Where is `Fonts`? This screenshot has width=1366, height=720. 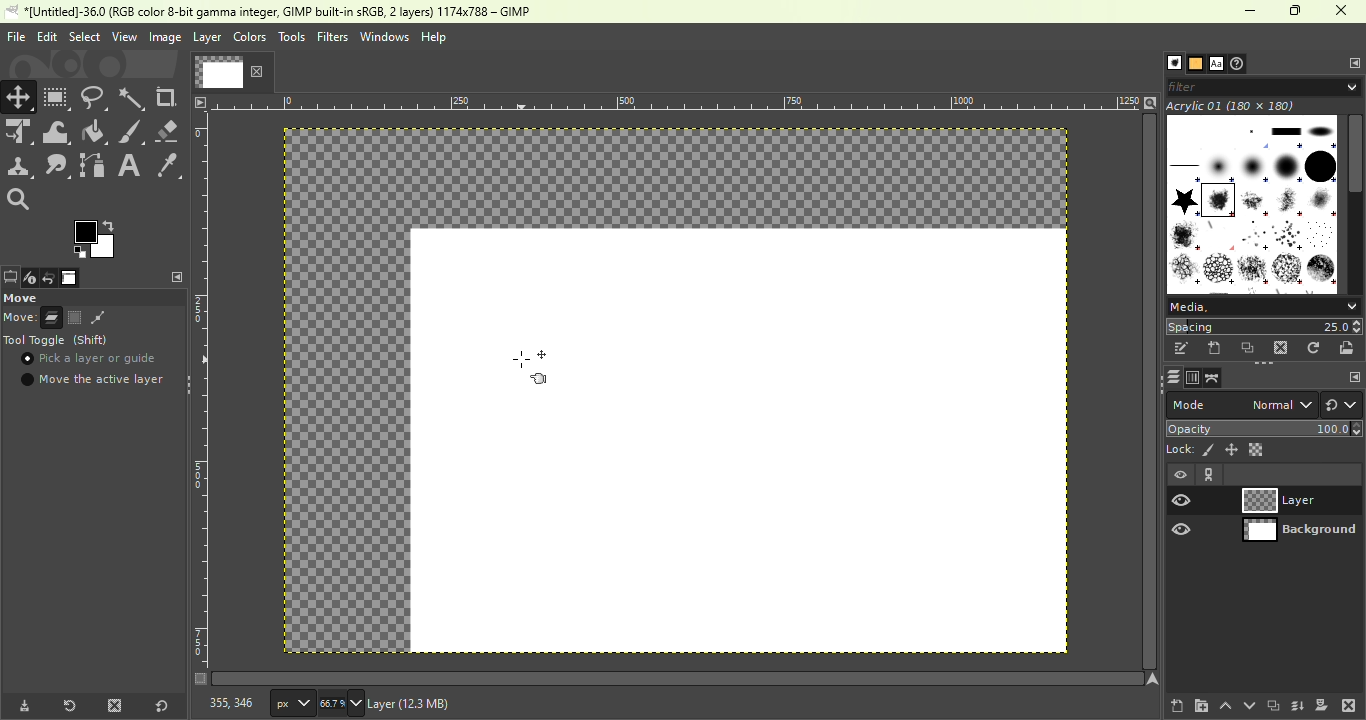
Fonts is located at coordinates (1216, 61).